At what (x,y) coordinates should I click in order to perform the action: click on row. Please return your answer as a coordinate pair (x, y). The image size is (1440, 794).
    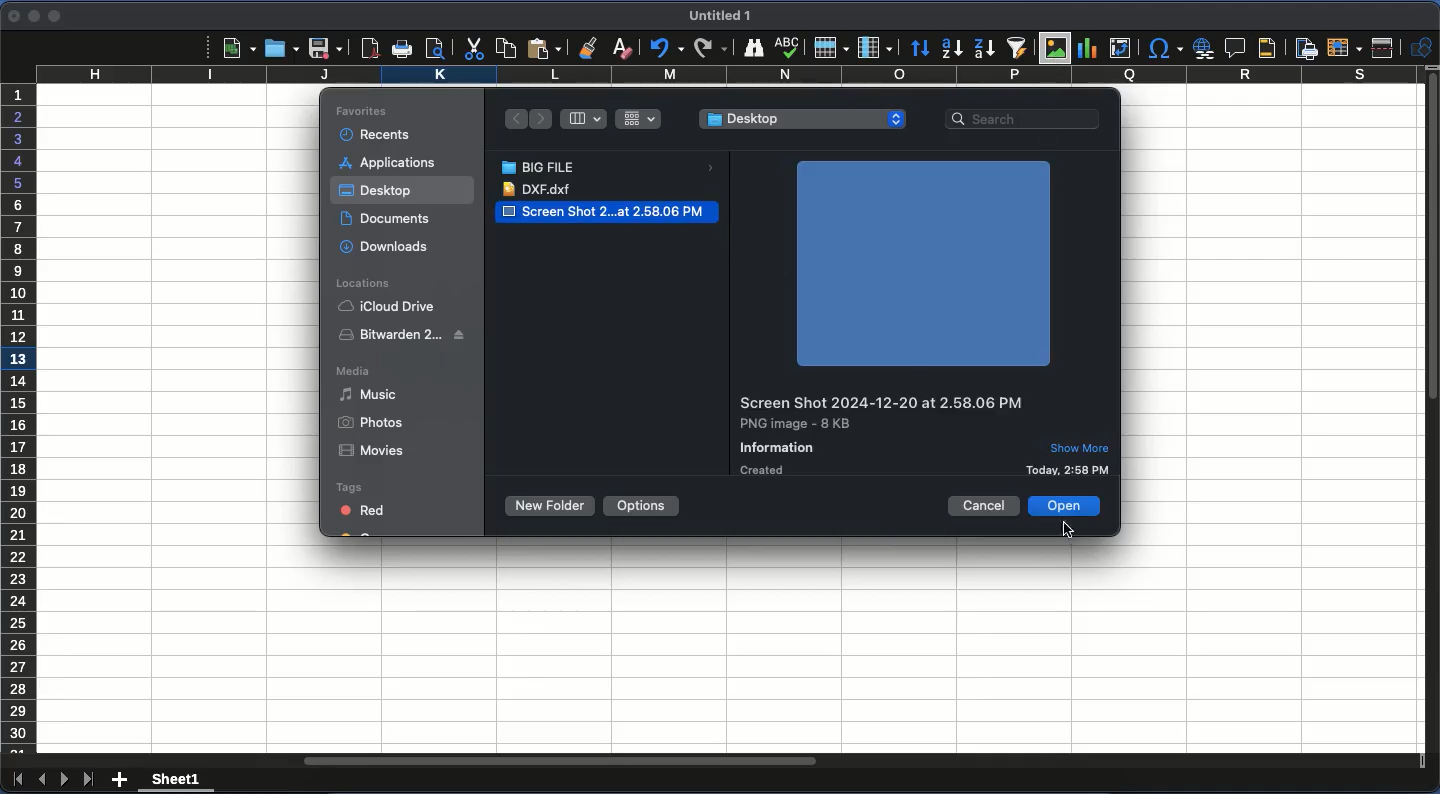
    Looking at the image, I should click on (829, 49).